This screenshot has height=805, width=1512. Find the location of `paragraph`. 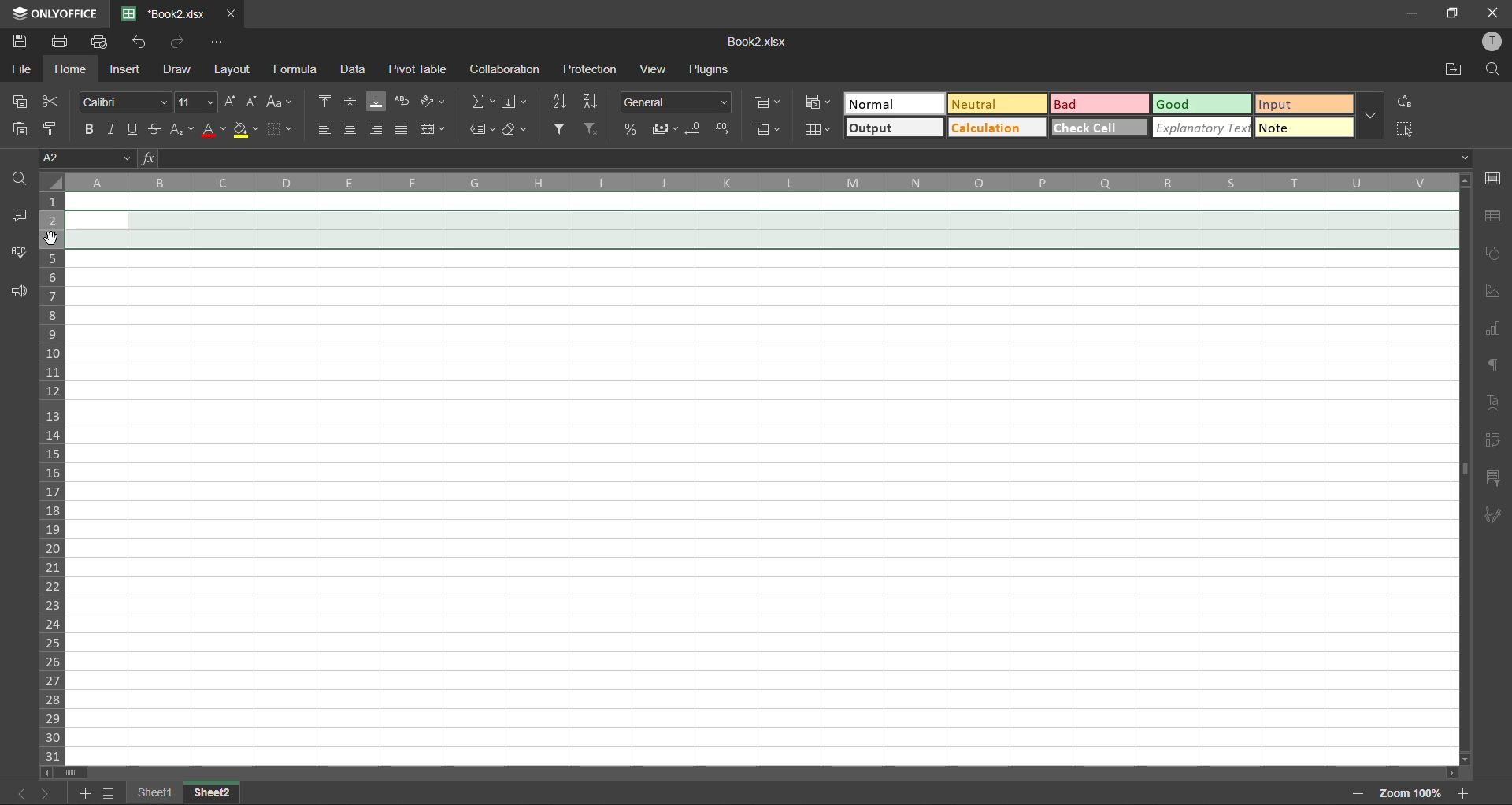

paragraph is located at coordinates (1495, 363).